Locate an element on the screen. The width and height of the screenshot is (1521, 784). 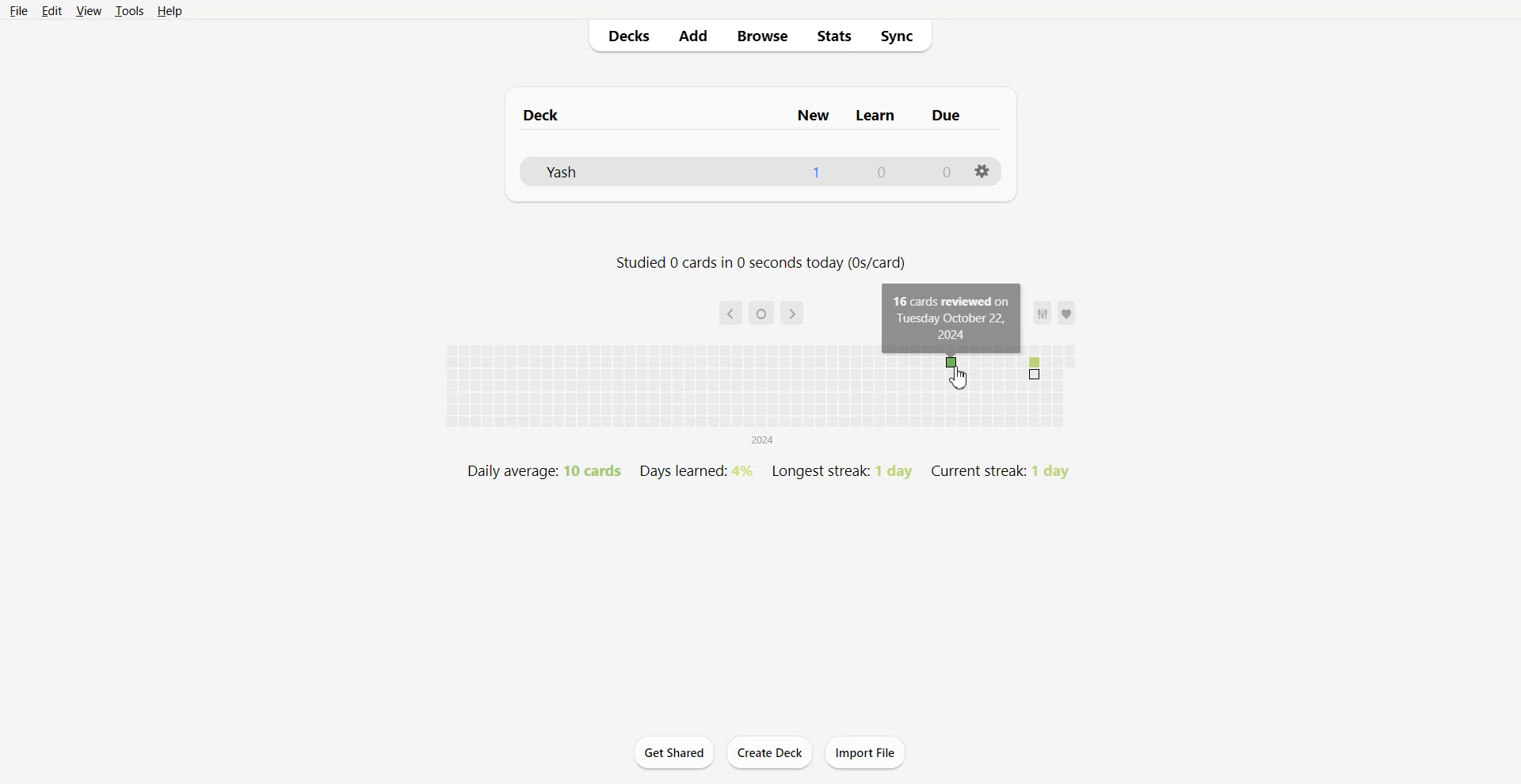
deck is located at coordinates (567, 115).